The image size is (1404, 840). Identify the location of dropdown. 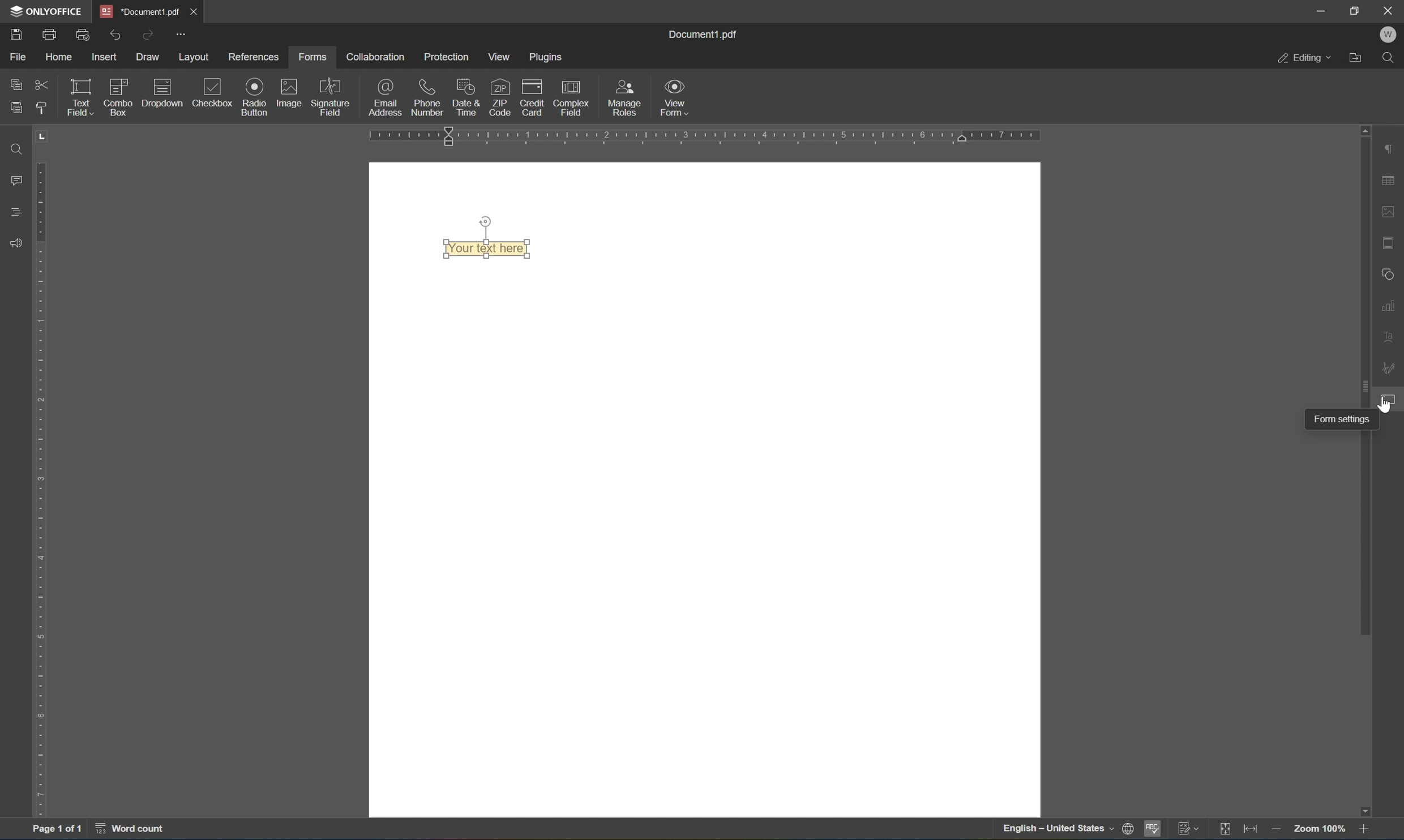
(163, 94).